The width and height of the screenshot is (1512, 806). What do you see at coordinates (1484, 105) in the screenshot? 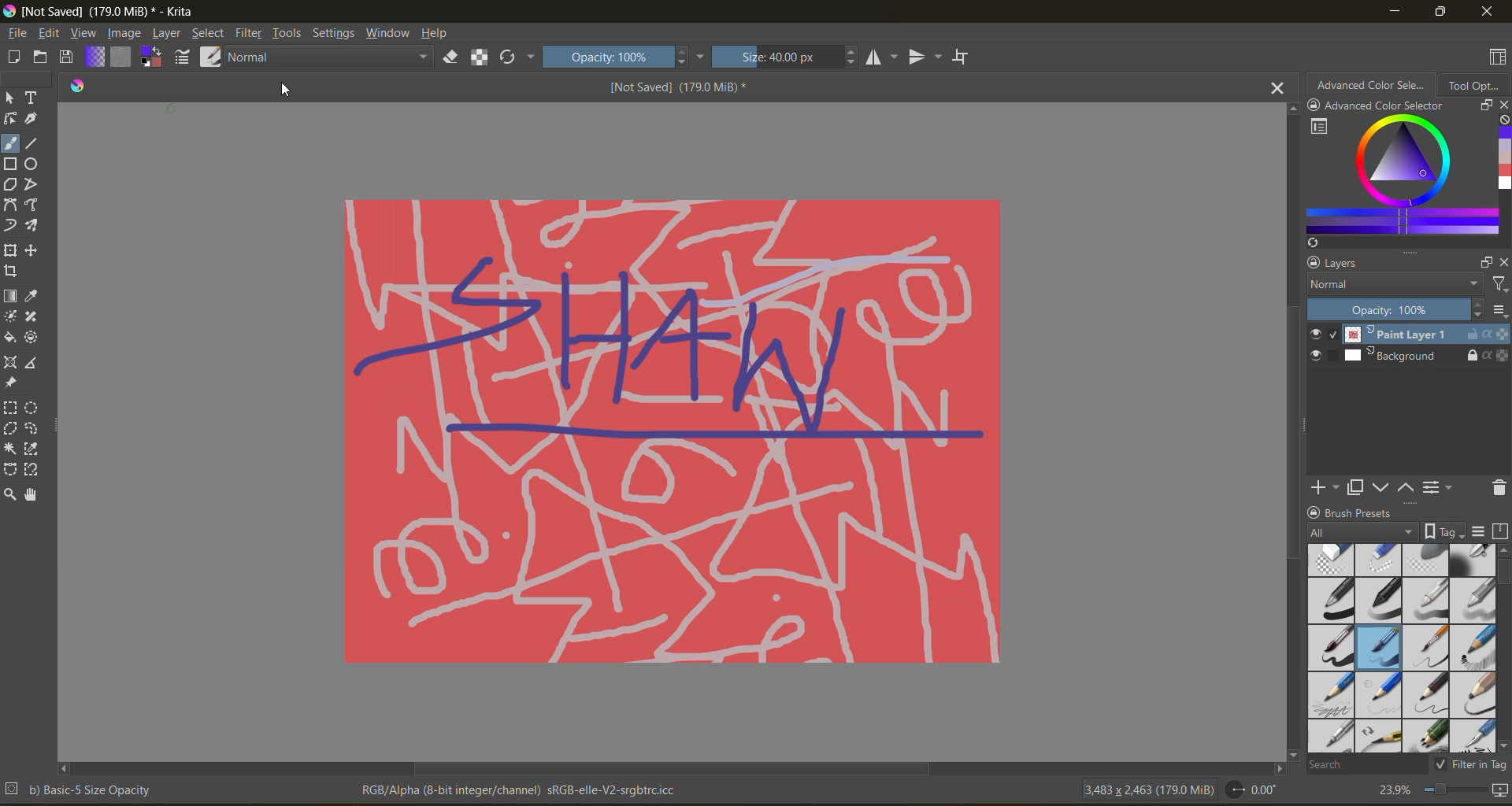
I see `float docker` at bounding box center [1484, 105].